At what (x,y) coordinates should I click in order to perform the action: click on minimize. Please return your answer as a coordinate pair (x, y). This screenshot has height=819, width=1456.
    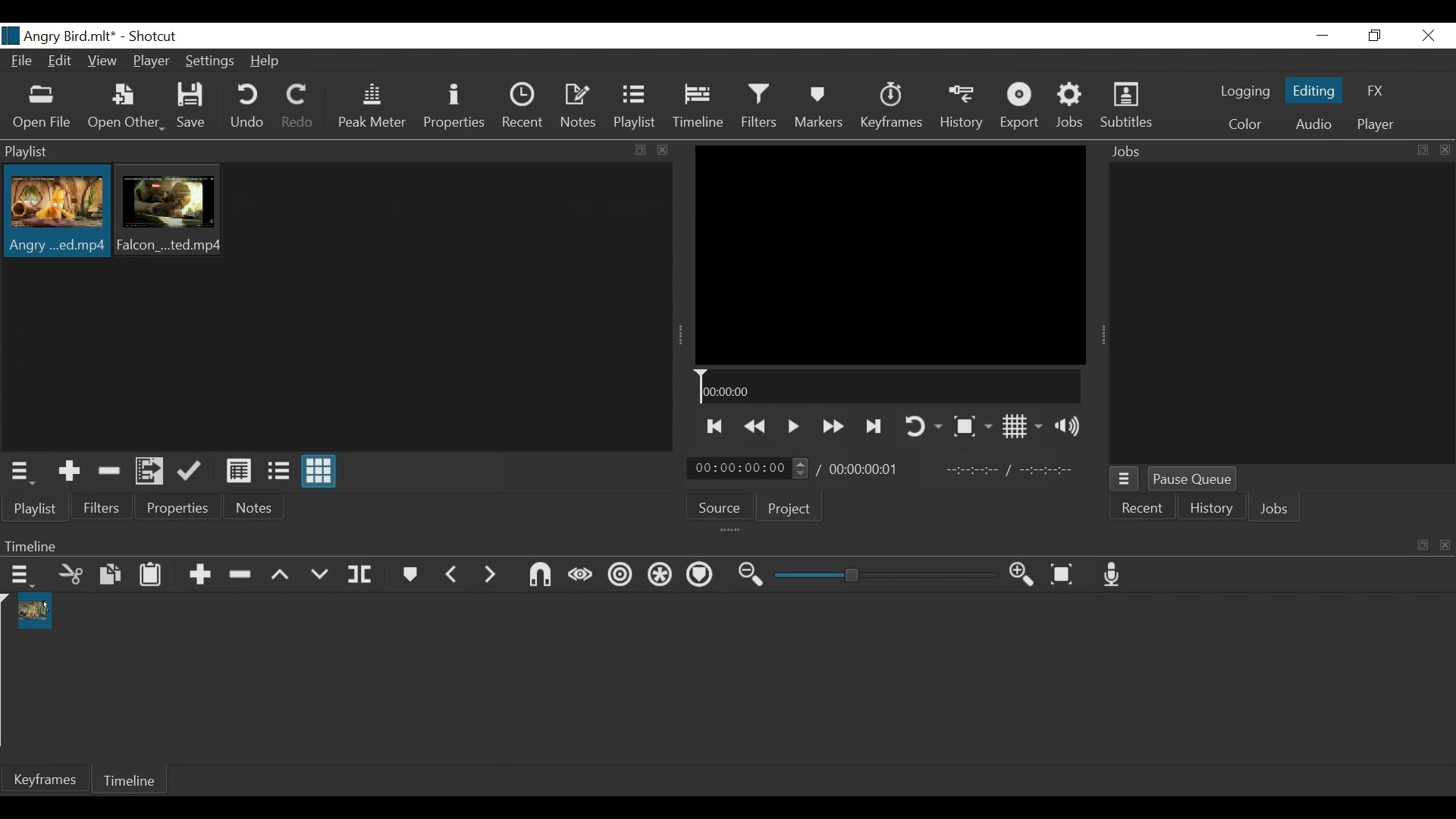
    Looking at the image, I should click on (1325, 35).